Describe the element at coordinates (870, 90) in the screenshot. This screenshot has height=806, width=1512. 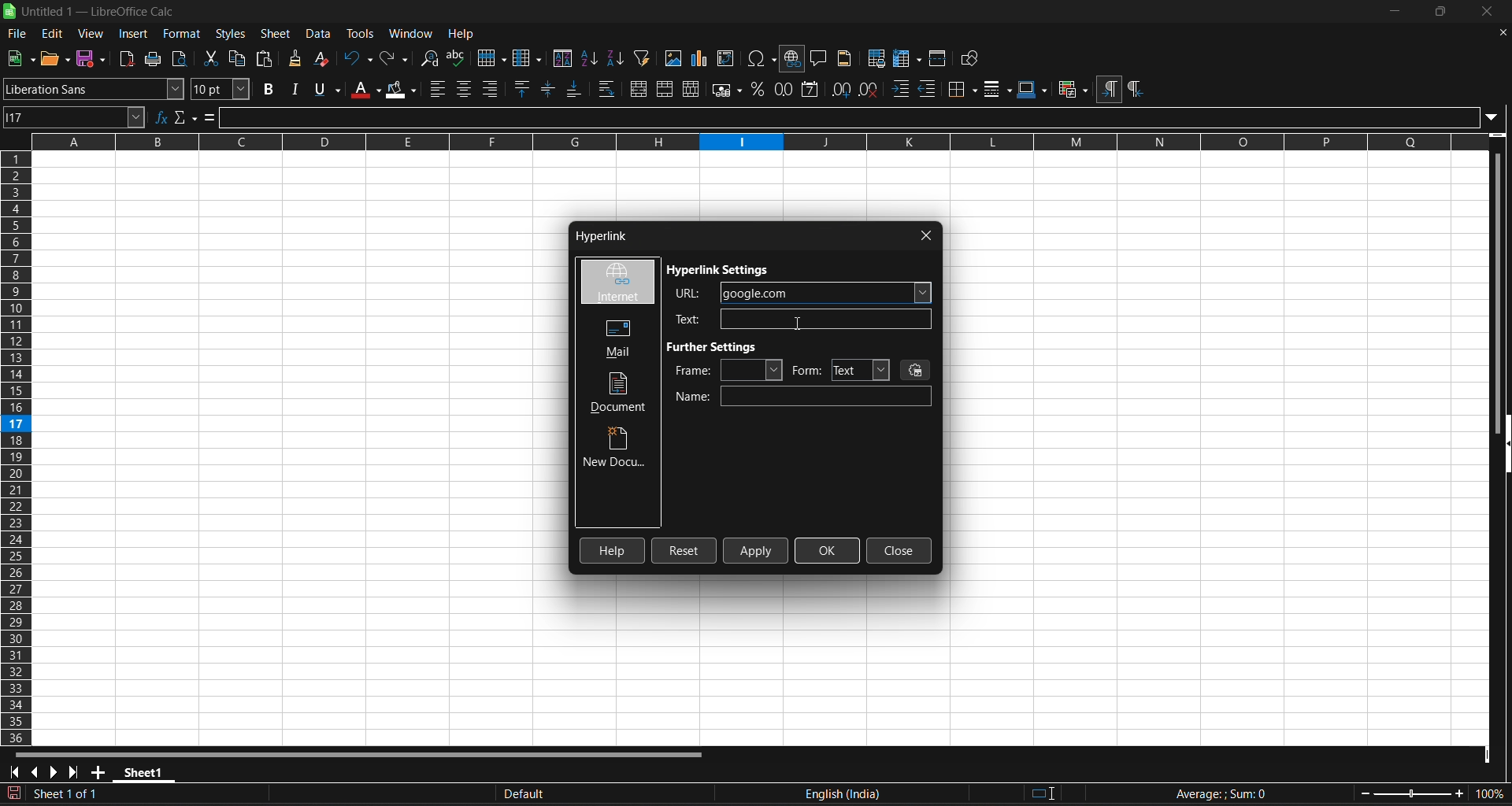
I see `remove decimal place` at that location.